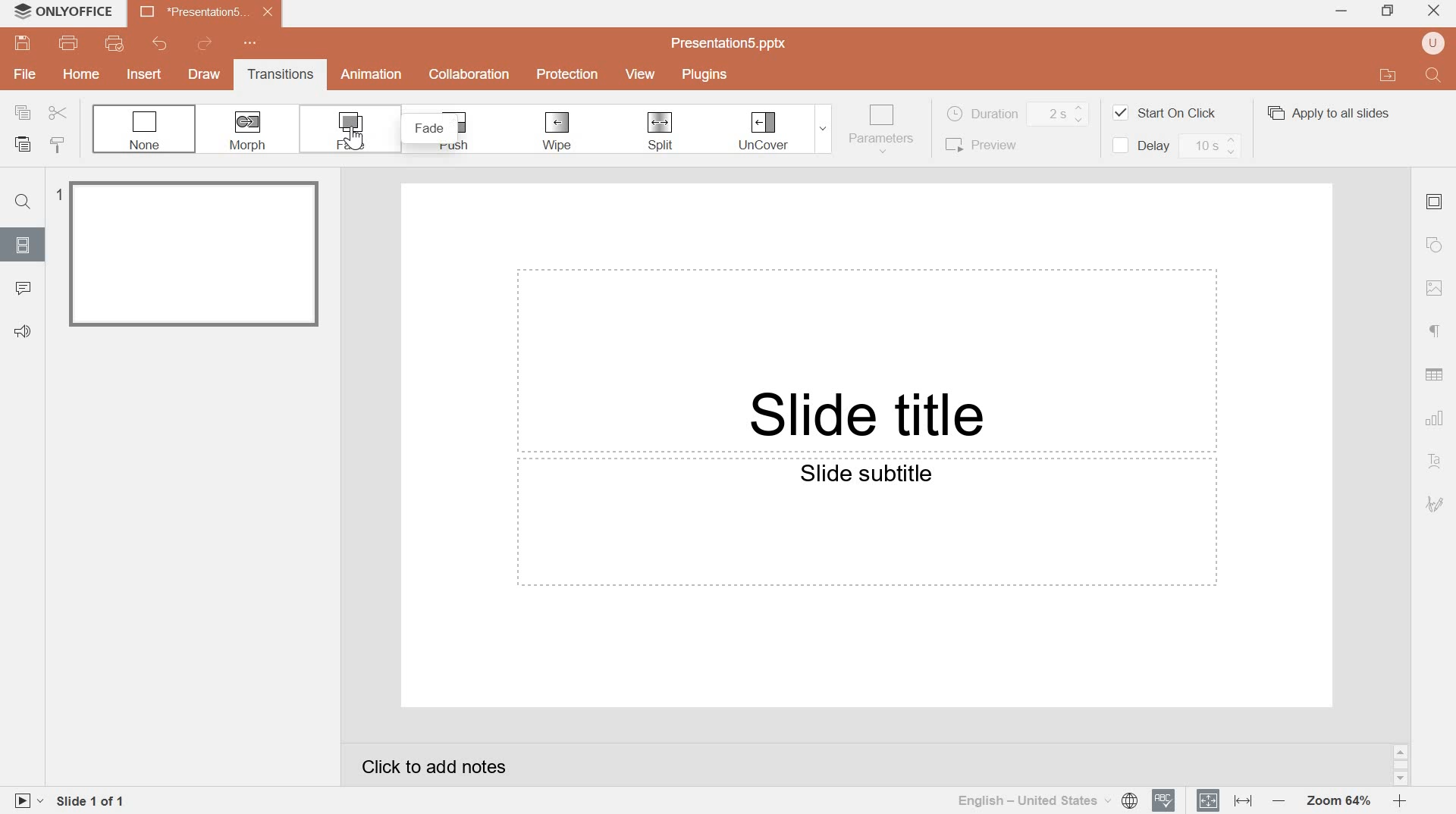 The image size is (1456, 814). Describe the element at coordinates (22, 202) in the screenshot. I see `find` at that location.